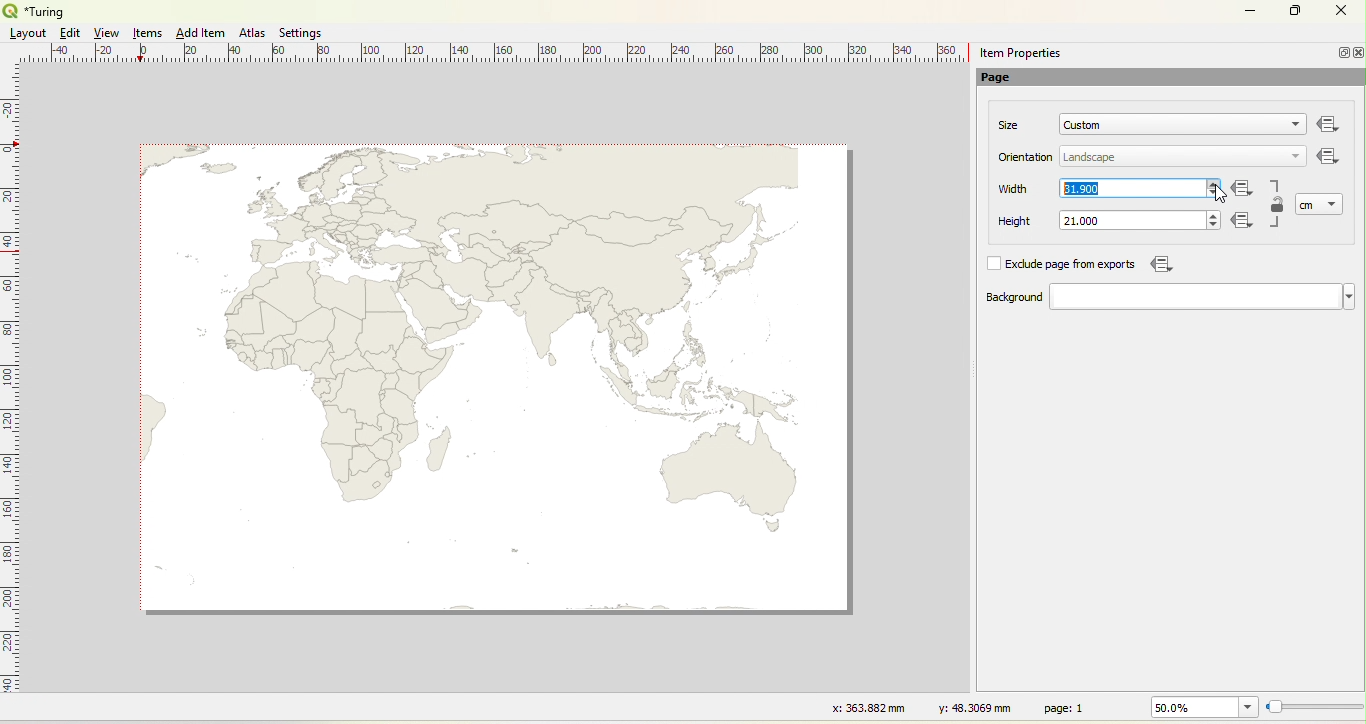  Describe the element at coordinates (1211, 226) in the screenshot. I see `decrease` at that location.